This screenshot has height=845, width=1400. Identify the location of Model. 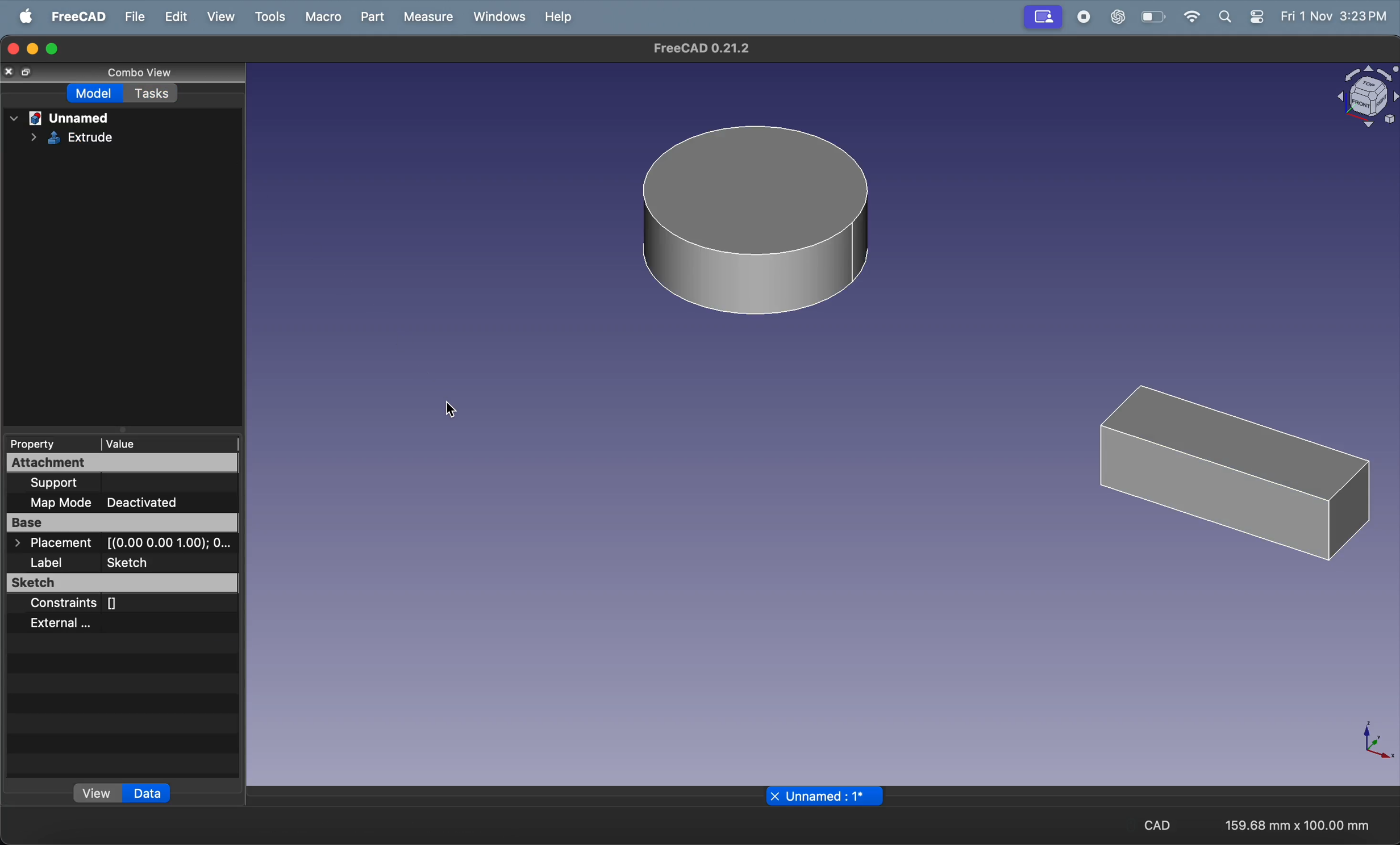
(95, 93).